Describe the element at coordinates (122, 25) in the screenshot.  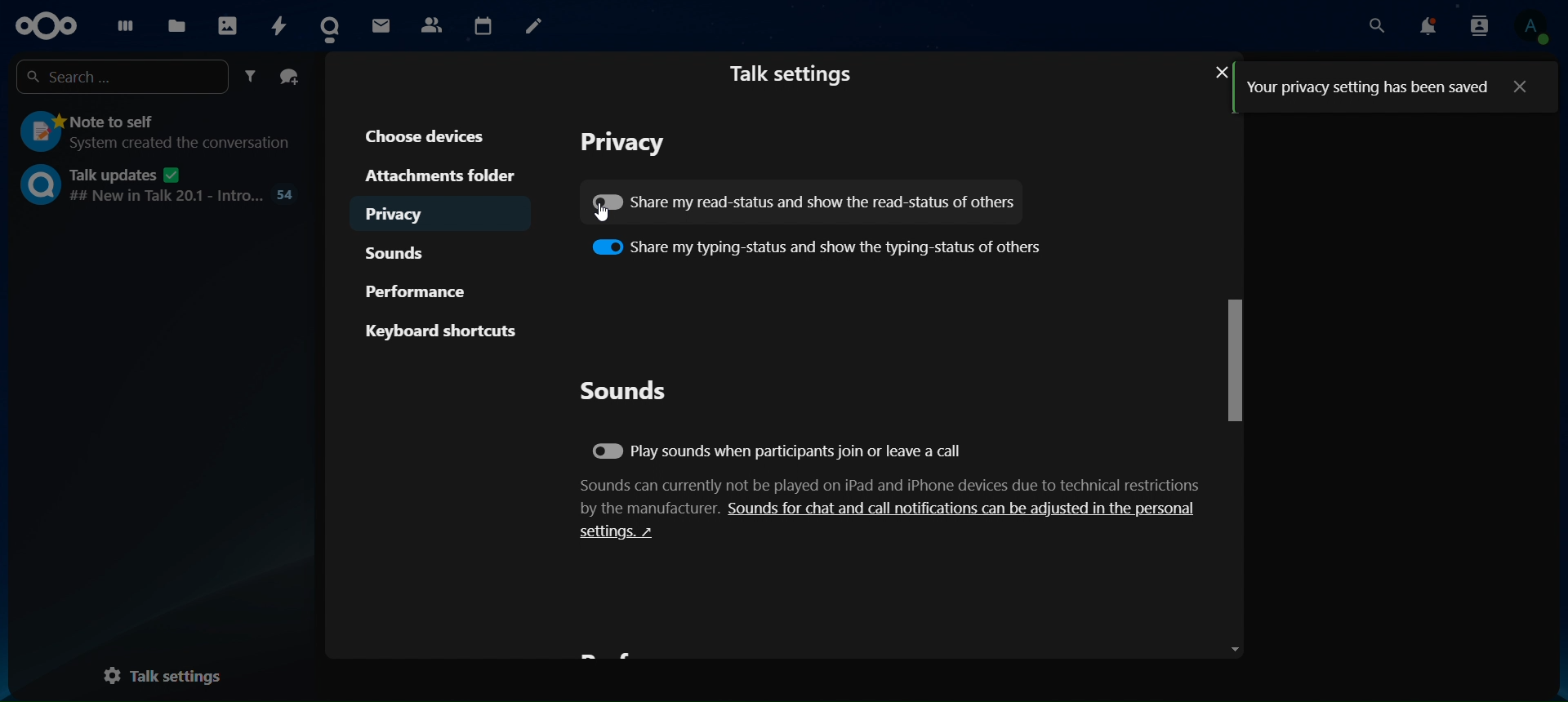
I see `dashboard` at that location.